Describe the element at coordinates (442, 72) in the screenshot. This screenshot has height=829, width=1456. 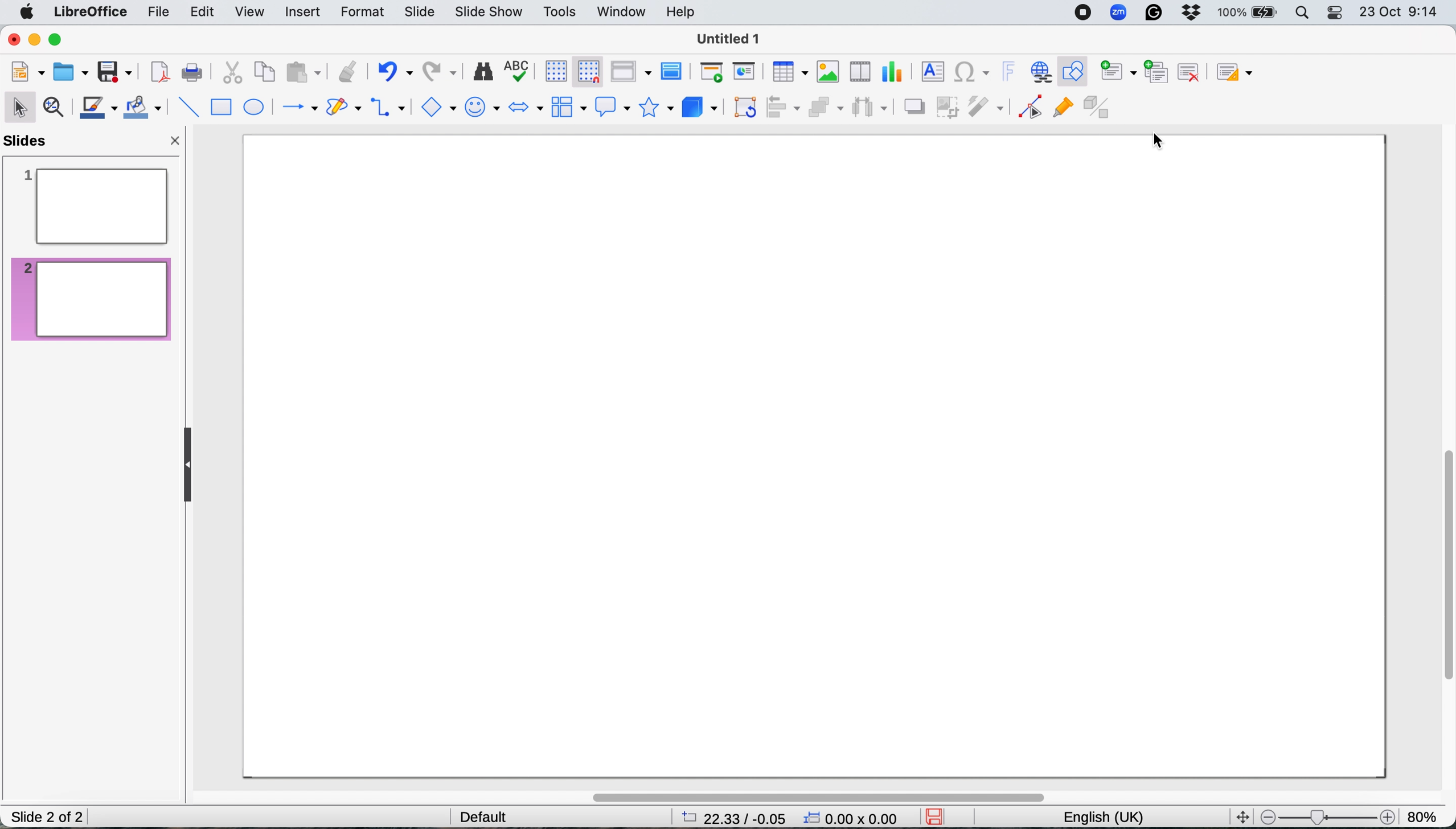
I see `redo` at that location.